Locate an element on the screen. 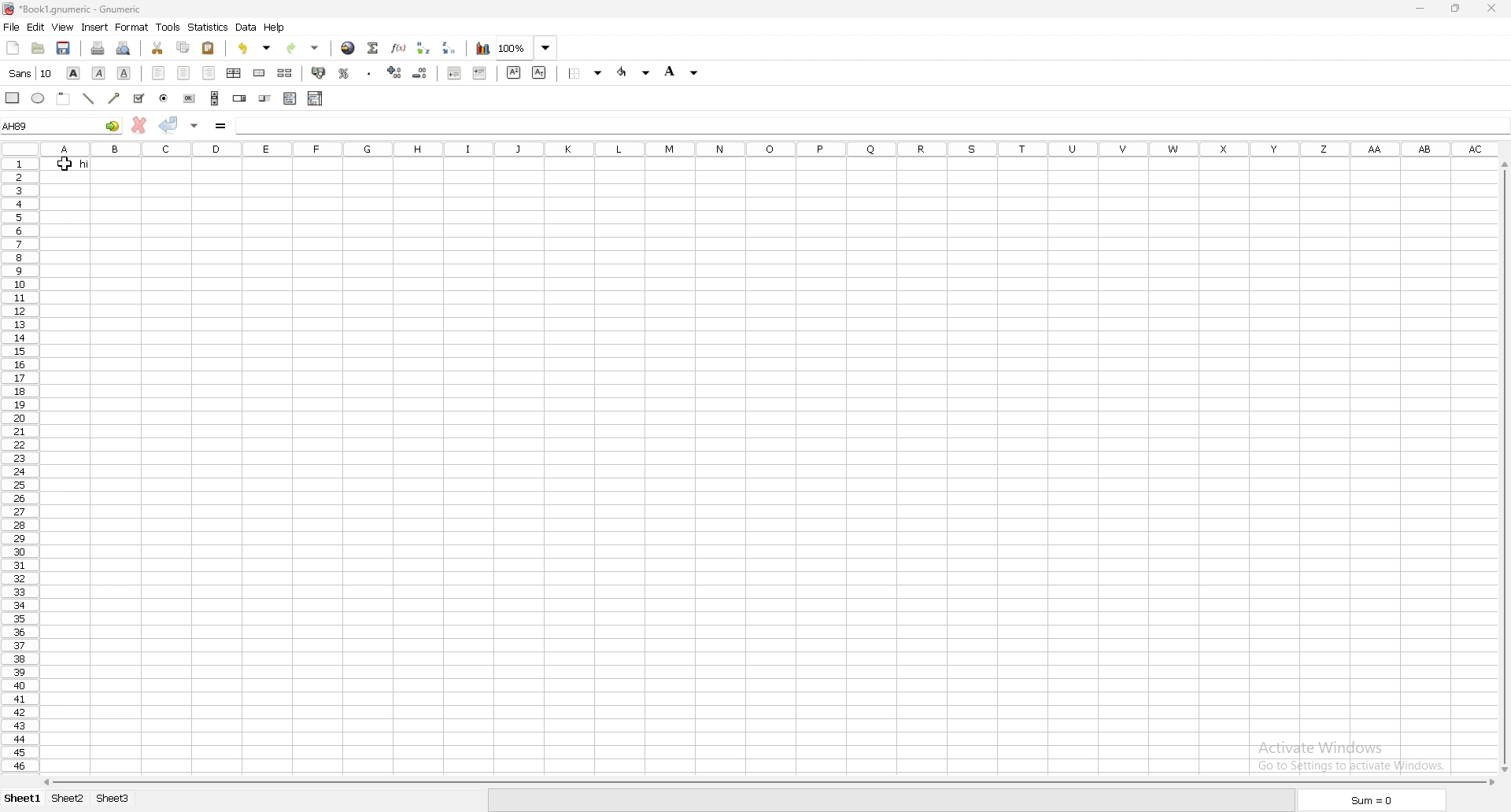 Image resolution: width=1511 pixels, height=812 pixels. minimize is located at coordinates (1419, 9).